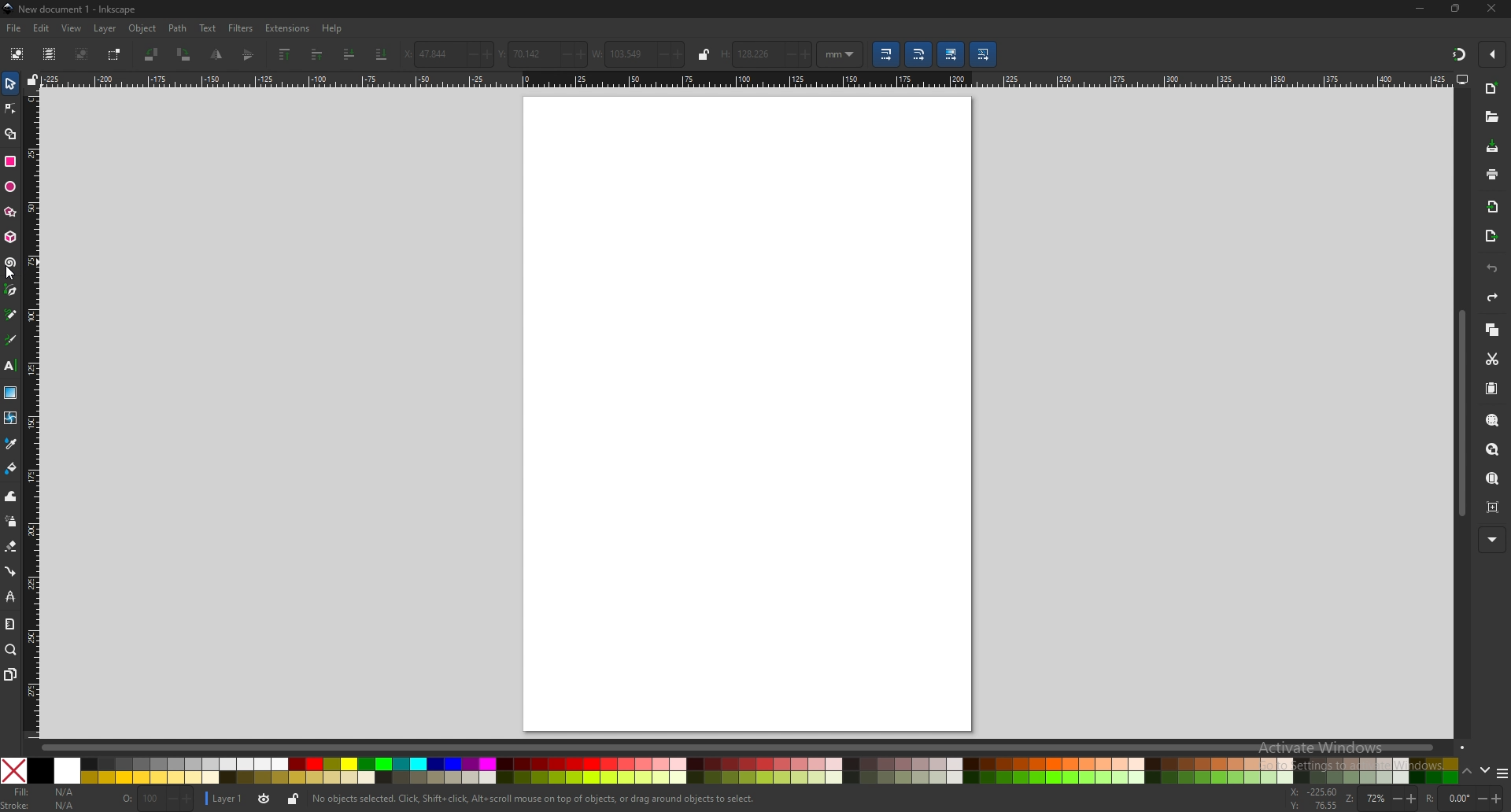  Describe the element at coordinates (11, 674) in the screenshot. I see `pages` at that location.